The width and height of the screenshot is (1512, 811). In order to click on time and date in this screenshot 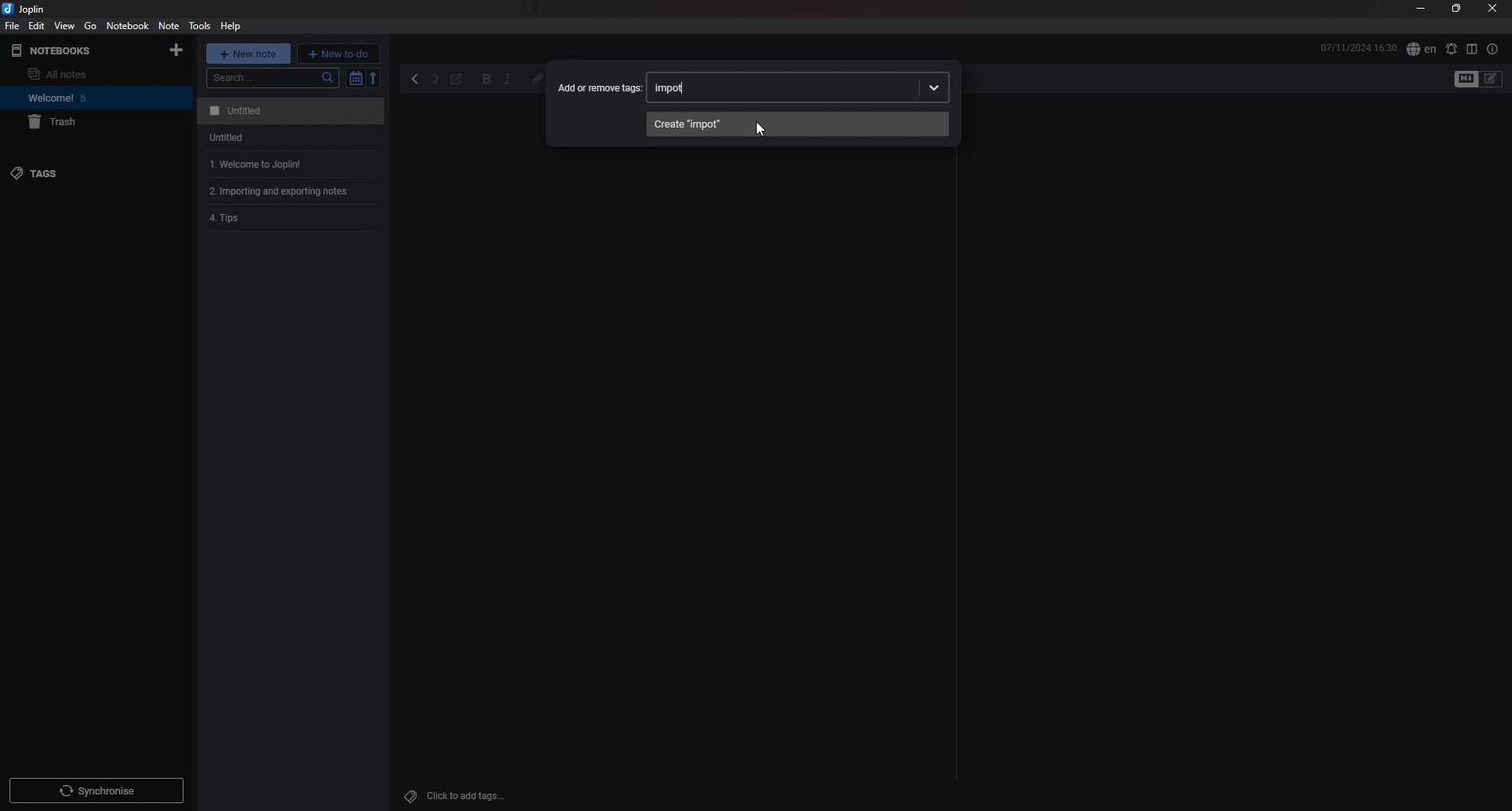, I will do `click(1358, 47)`.